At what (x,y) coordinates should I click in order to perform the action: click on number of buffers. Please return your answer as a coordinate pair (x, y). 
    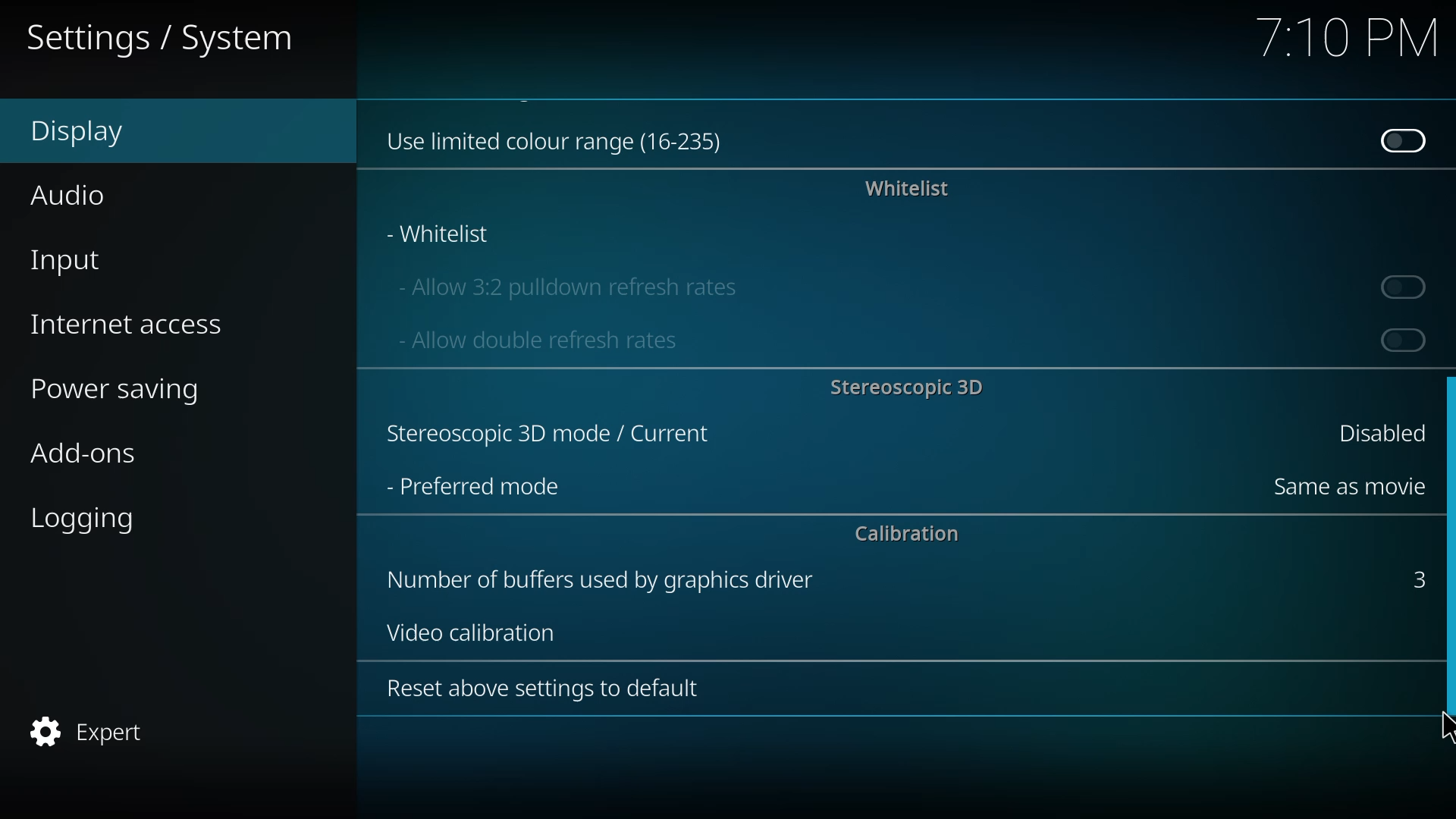
    Looking at the image, I should click on (596, 579).